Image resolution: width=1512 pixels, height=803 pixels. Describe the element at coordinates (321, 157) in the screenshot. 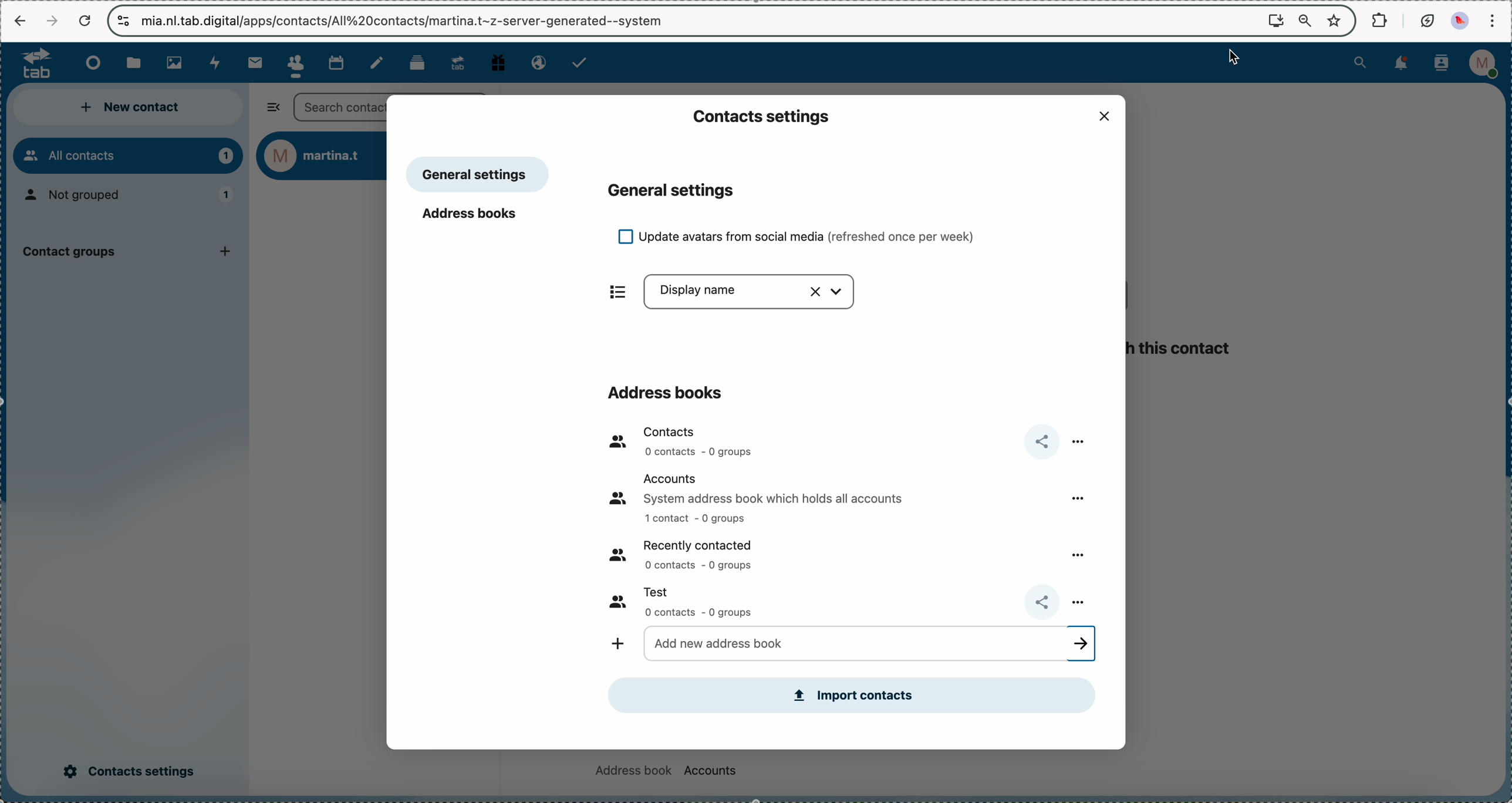

I see `user` at that location.